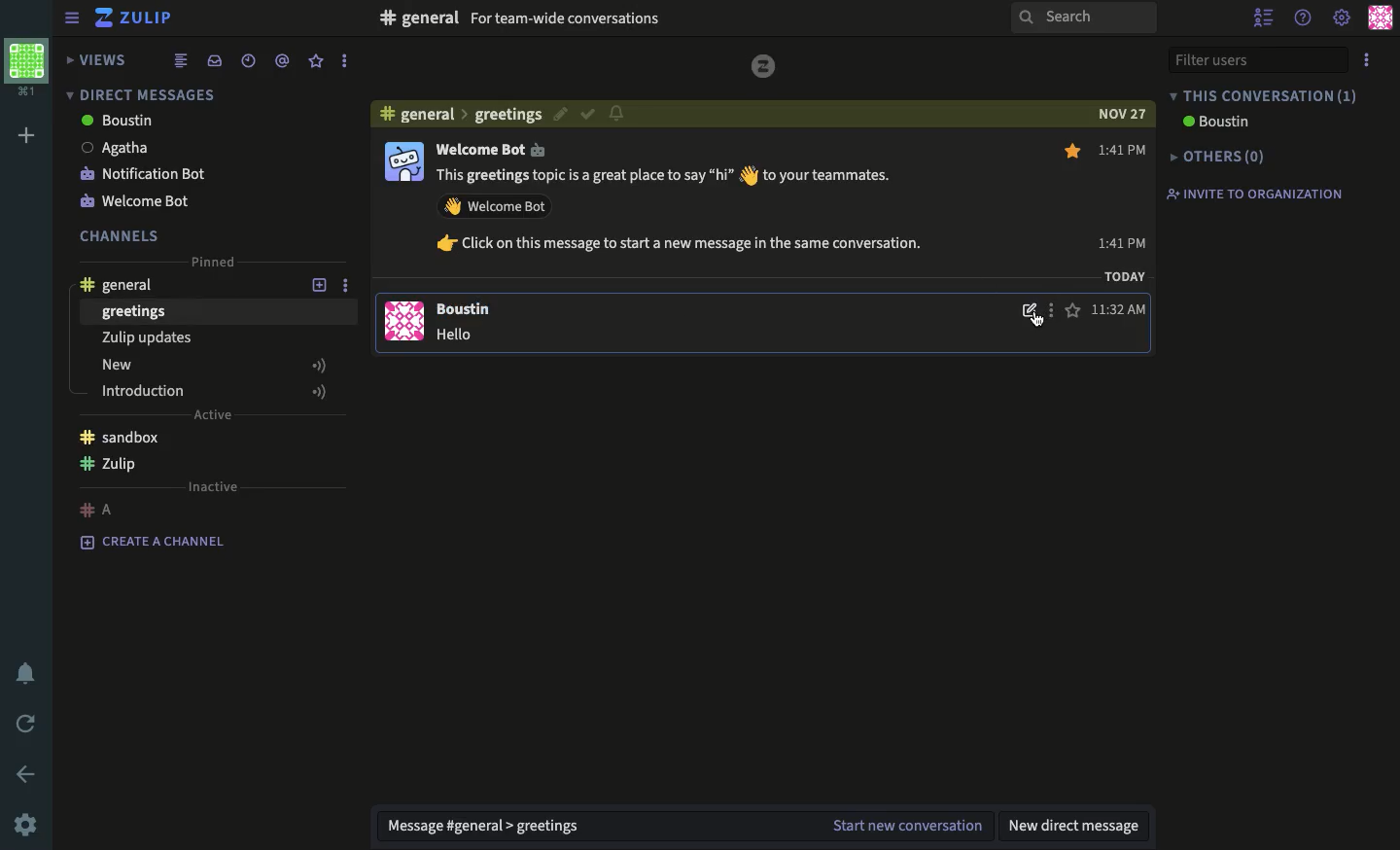 This screenshot has width=1400, height=850. What do you see at coordinates (458, 113) in the screenshot?
I see `general > greetings` at bounding box center [458, 113].